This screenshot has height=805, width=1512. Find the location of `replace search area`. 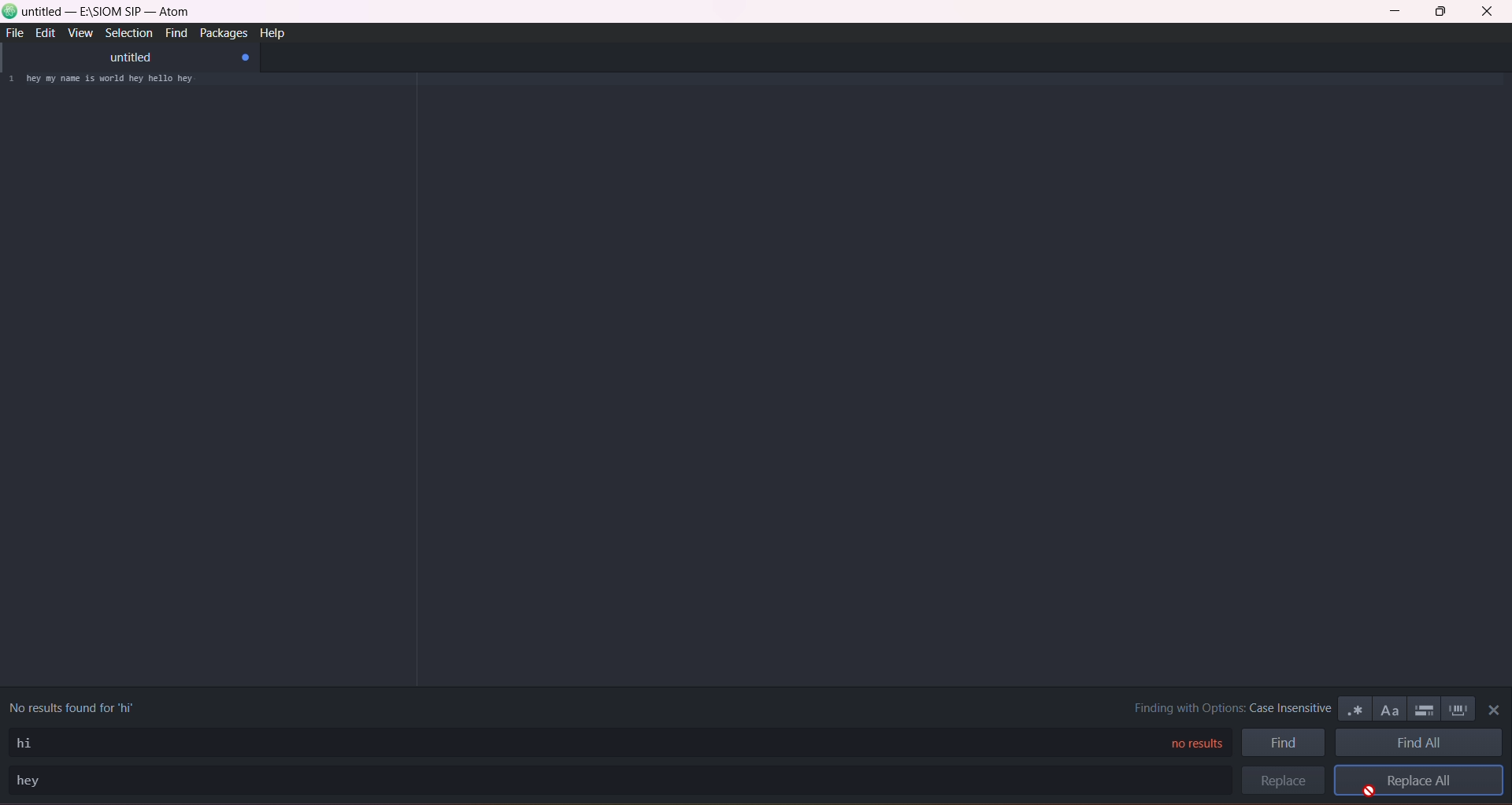

replace search area is located at coordinates (647, 781).